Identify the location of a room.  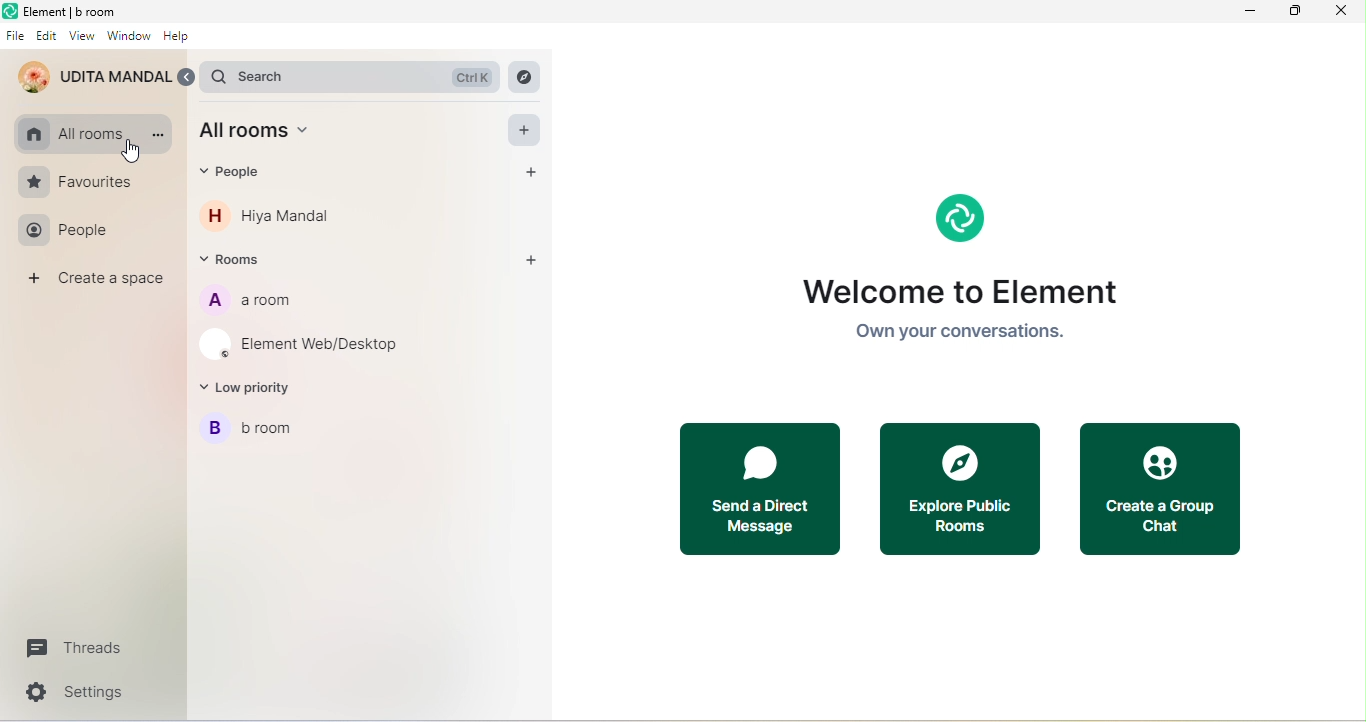
(247, 303).